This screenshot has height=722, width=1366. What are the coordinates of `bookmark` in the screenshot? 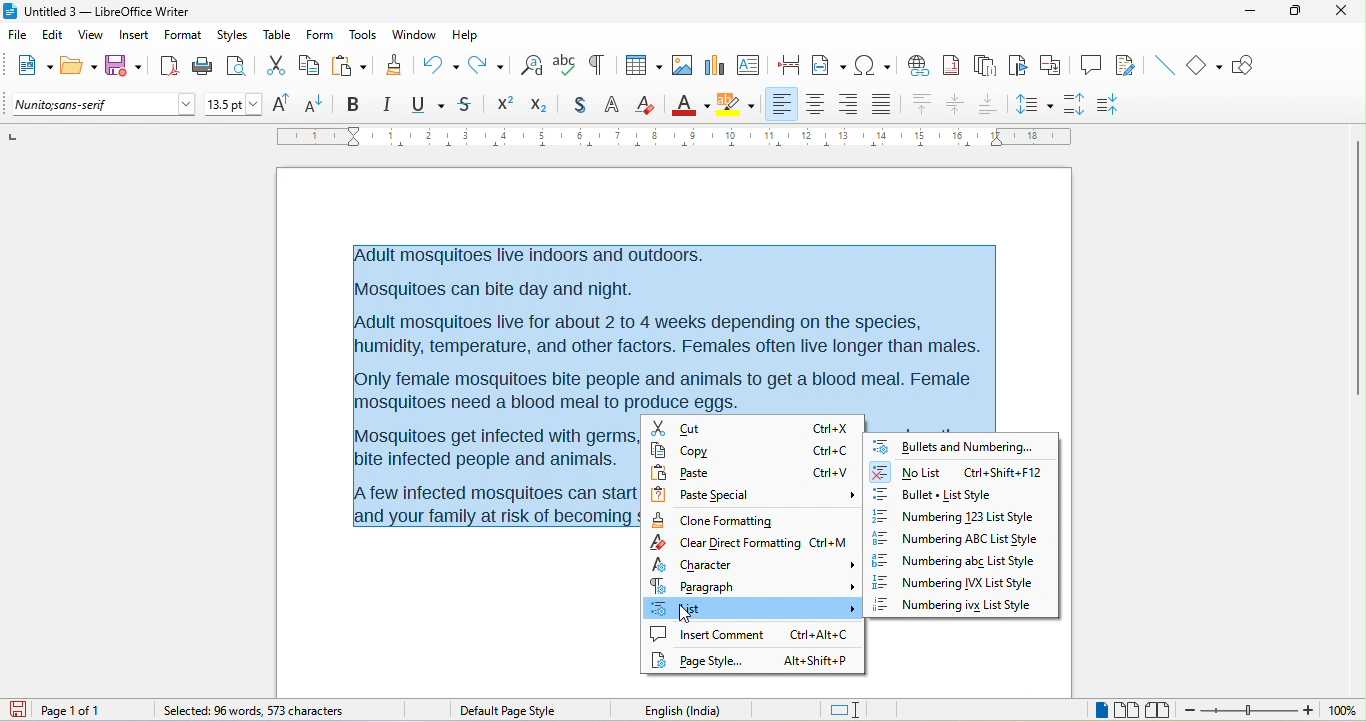 It's located at (1019, 66).